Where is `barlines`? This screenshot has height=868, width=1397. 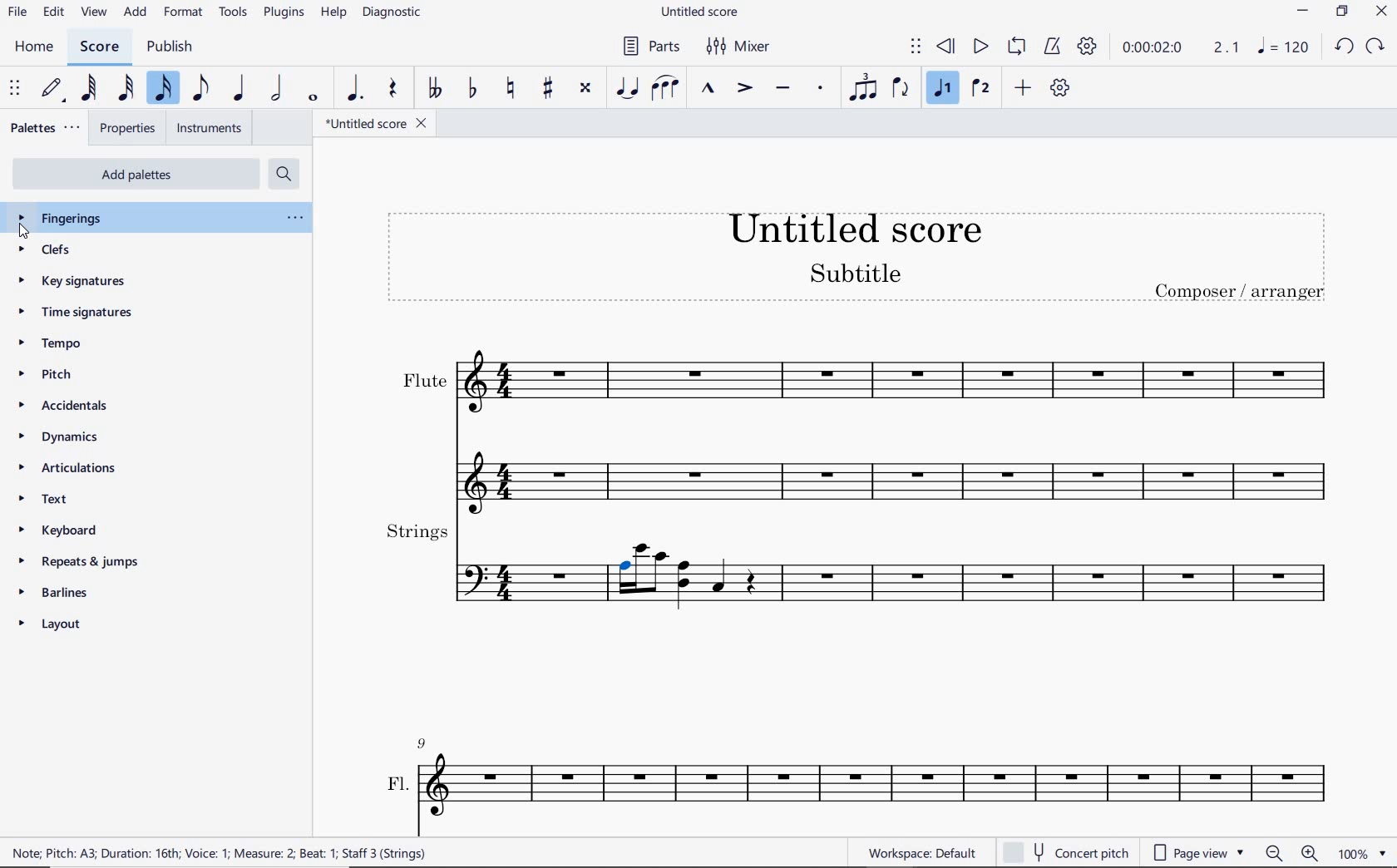 barlines is located at coordinates (89, 594).